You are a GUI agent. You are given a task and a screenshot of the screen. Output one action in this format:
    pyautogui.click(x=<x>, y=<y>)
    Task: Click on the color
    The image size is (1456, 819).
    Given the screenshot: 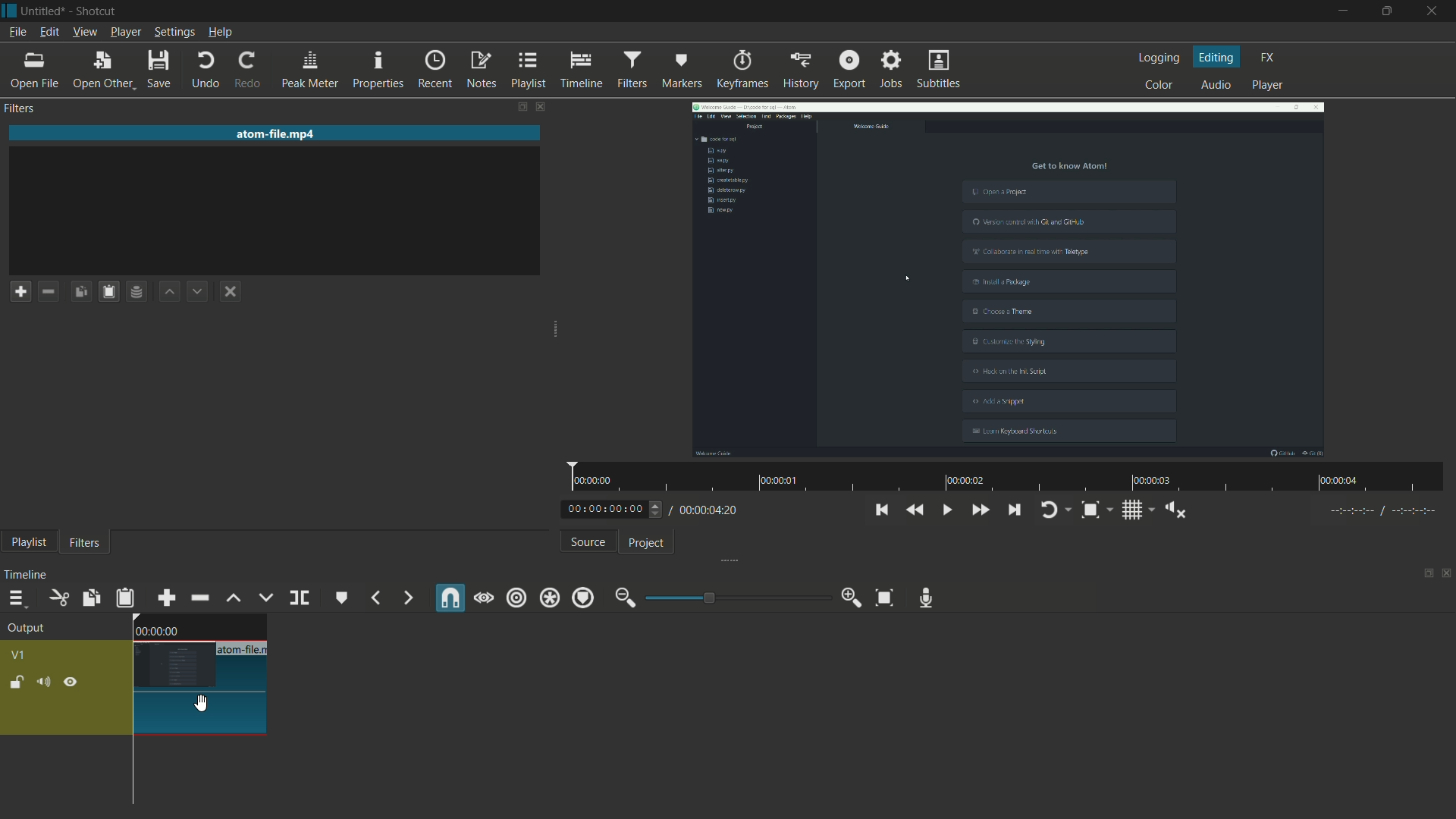 What is the action you would take?
    pyautogui.click(x=1155, y=86)
    